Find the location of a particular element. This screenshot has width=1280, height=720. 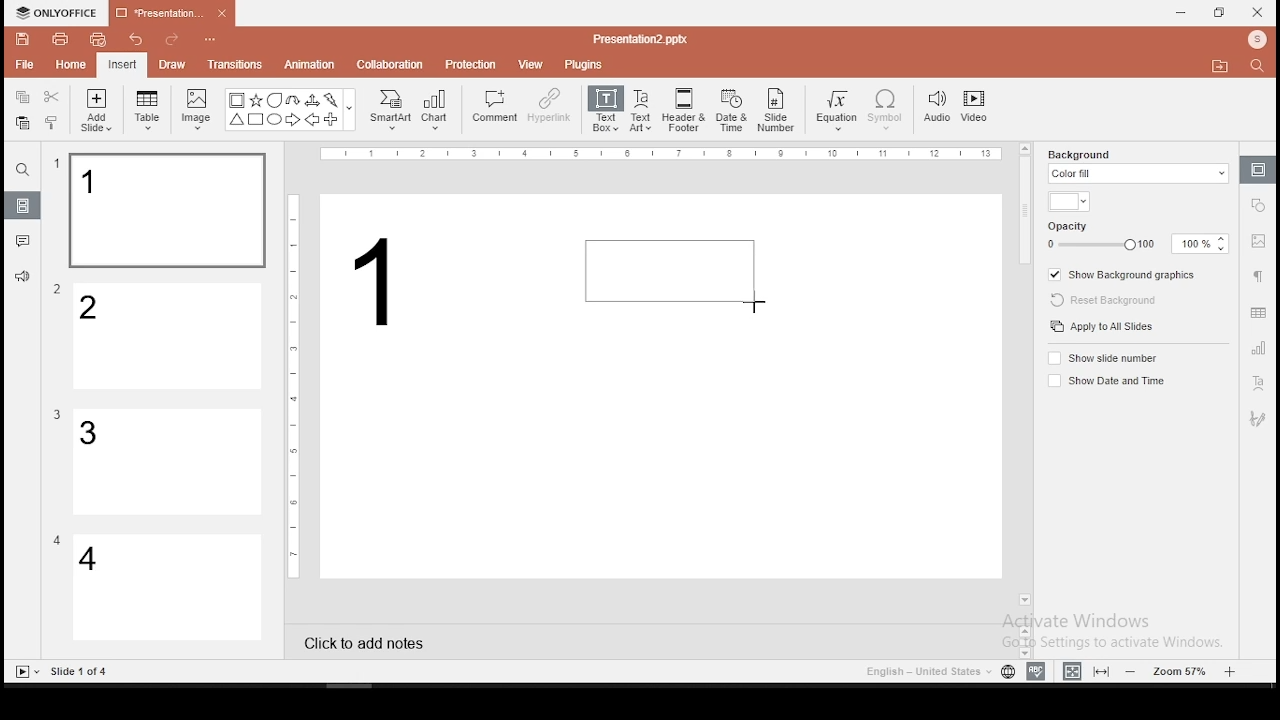

table is located at coordinates (150, 111).